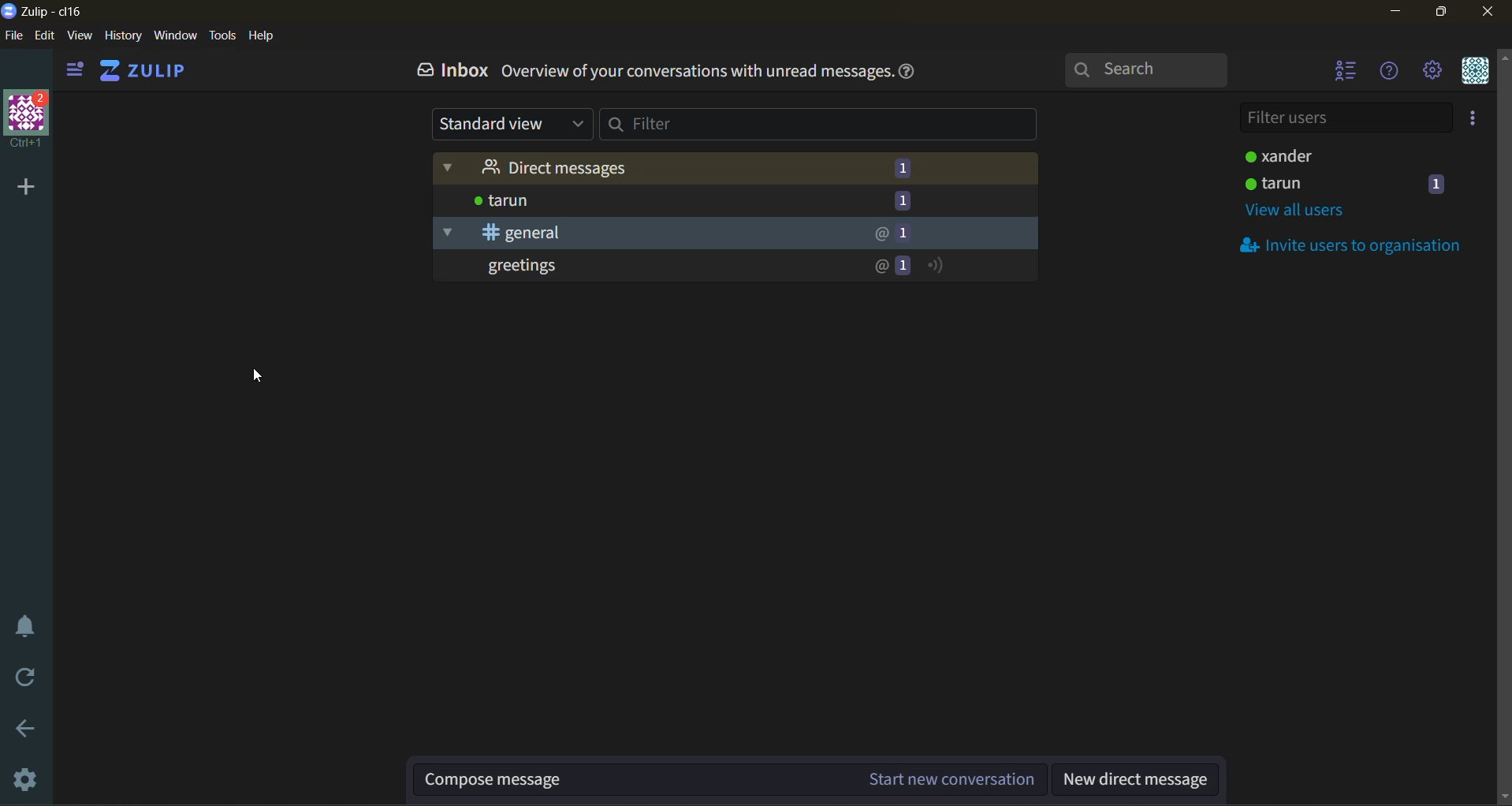 The width and height of the screenshot is (1512, 806). What do you see at coordinates (28, 778) in the screenshot?
I see `settings` at bounding box center [28, 778].